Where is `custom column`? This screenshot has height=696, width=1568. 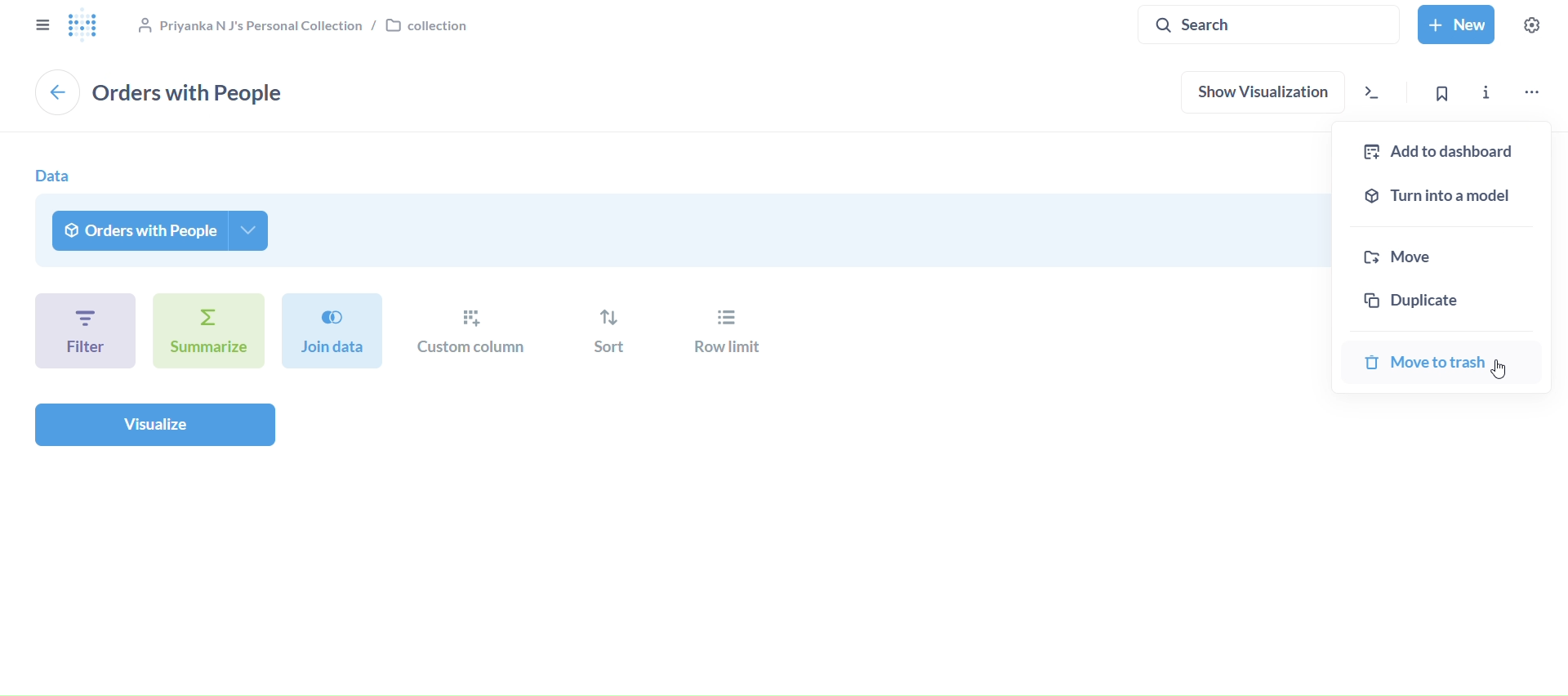 custom column is located at coordinates (466, 332).